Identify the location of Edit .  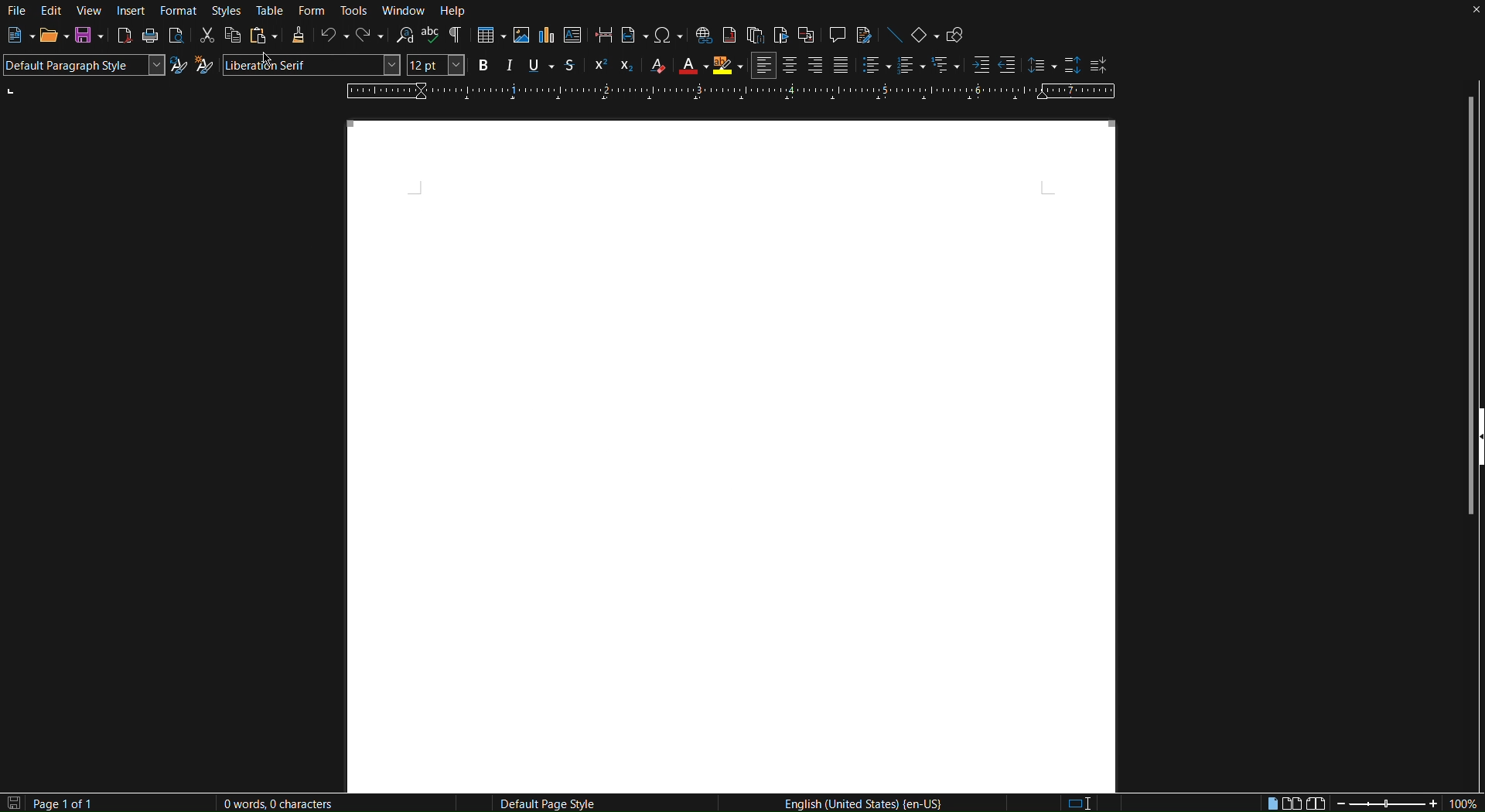
(52, 11).